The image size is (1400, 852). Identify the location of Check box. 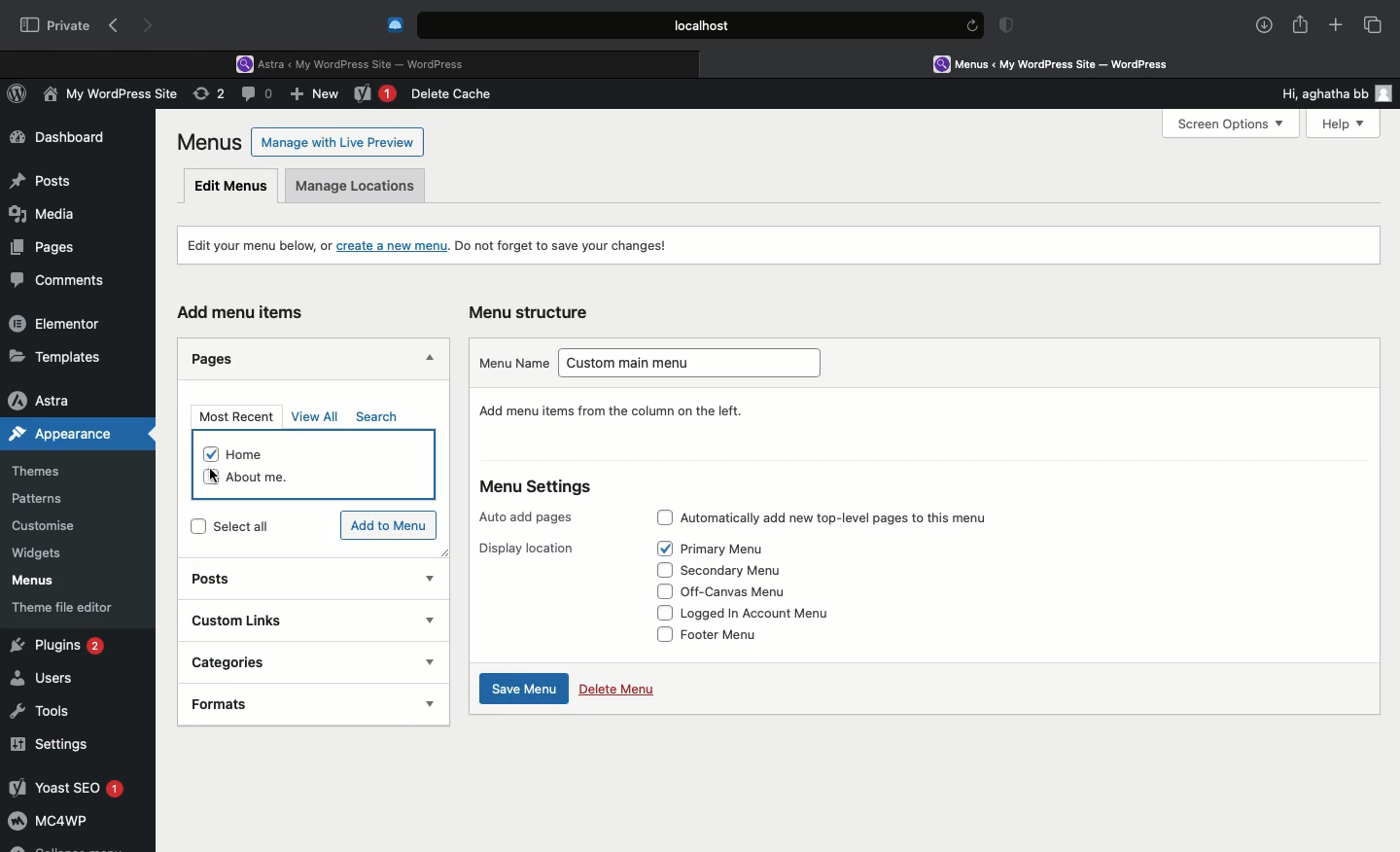
(664, 515).